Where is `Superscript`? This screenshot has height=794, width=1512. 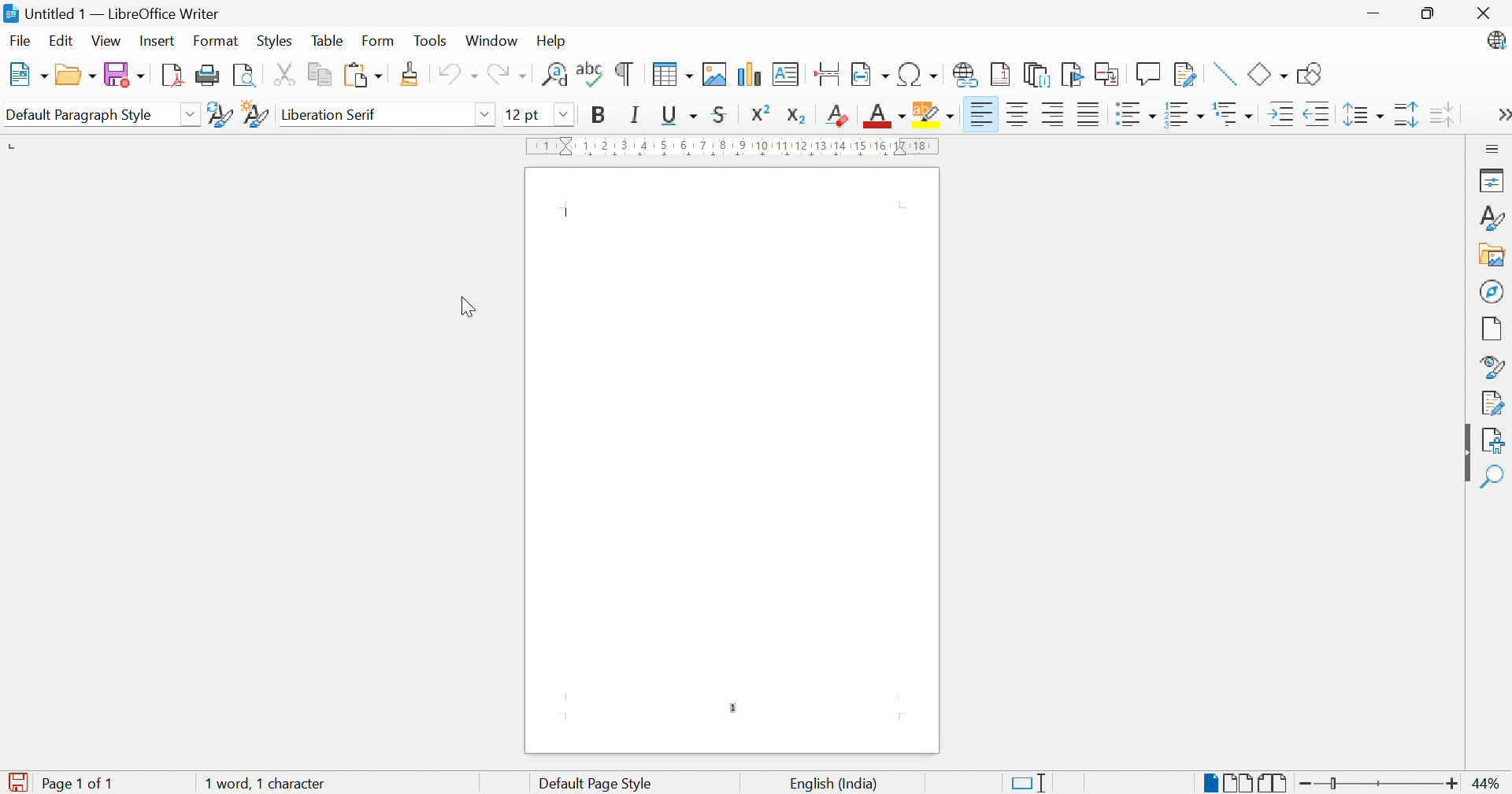
Superscript is located at coordinates (761, 113).